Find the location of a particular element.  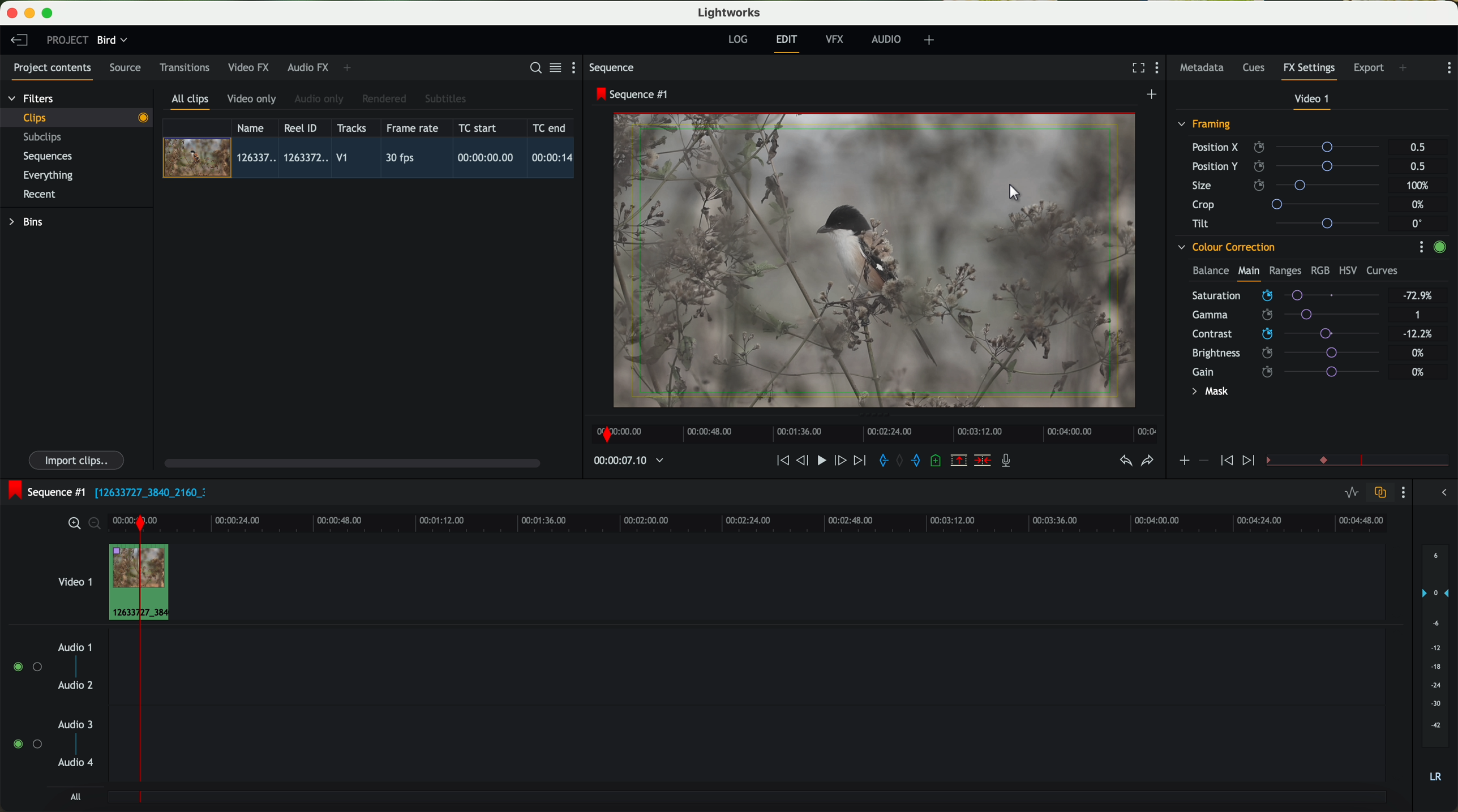

tilt is located at coordinates (1291, 223).